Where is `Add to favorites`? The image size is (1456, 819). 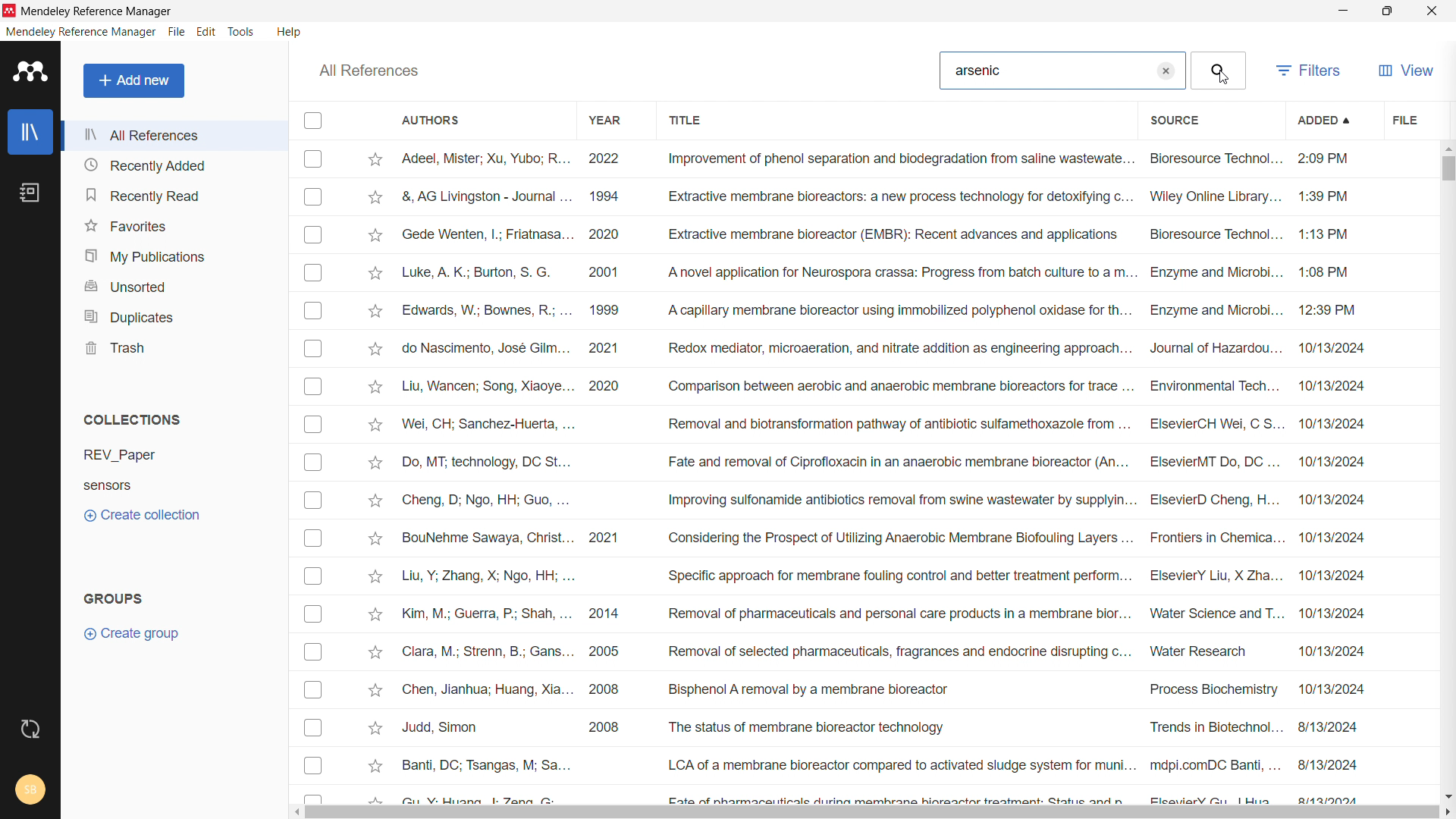
Add to favorites is located at coordinates (372, 272).